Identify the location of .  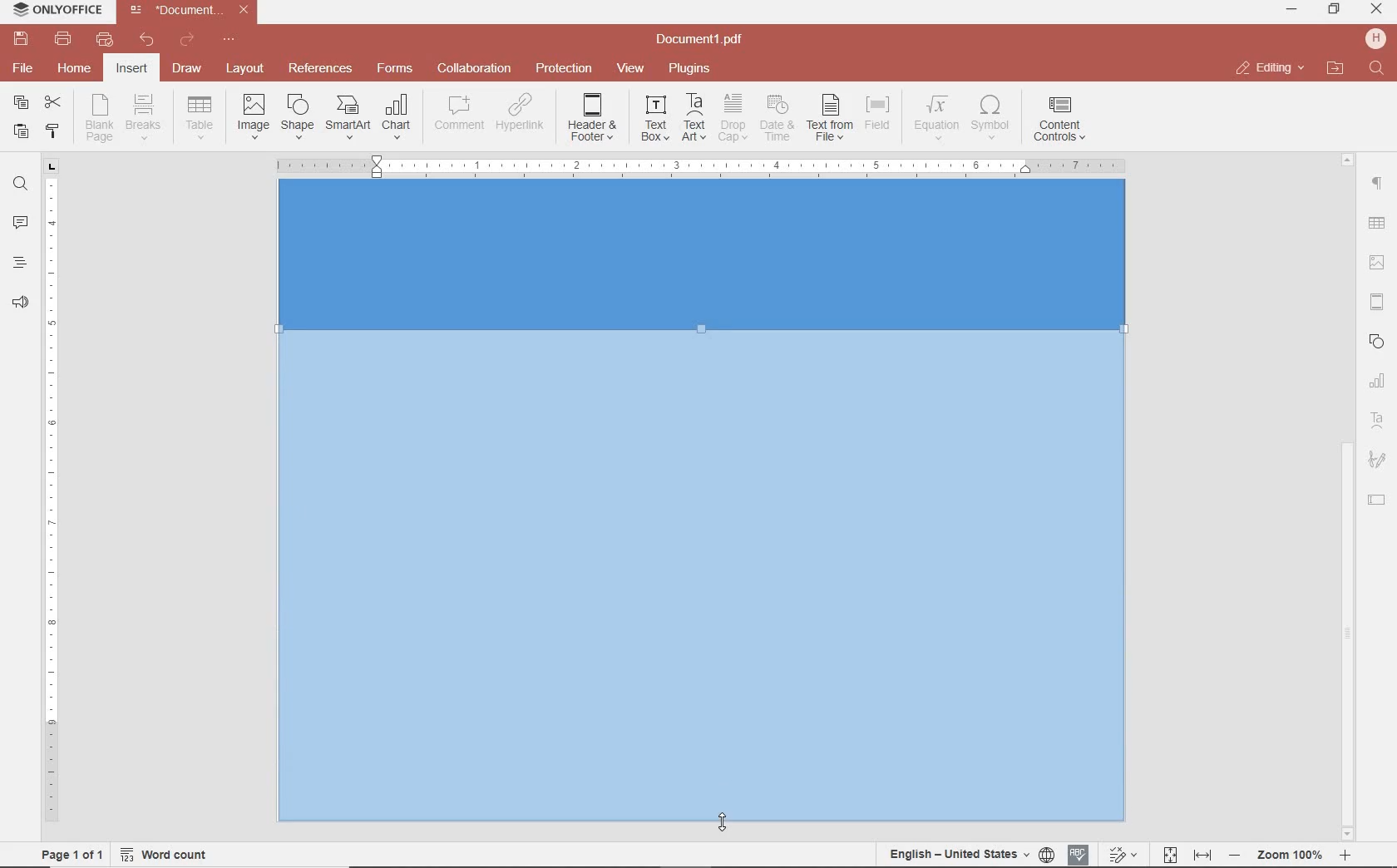
(699, 164).